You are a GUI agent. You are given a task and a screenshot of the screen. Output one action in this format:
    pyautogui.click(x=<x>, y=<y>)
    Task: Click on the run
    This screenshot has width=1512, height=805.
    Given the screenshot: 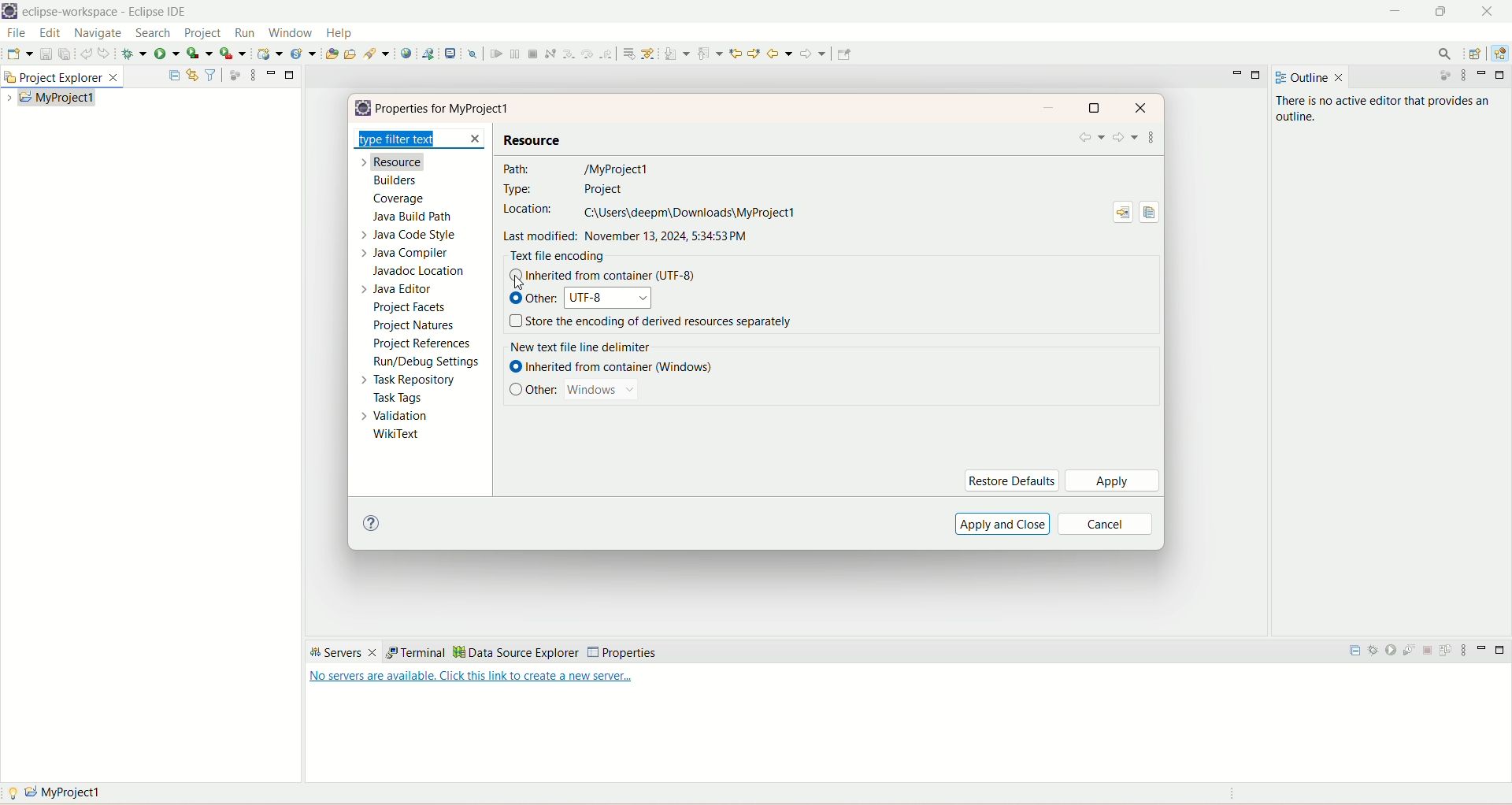 What is the action you would take?
    pyautogui.click(x=169, y=54)
    